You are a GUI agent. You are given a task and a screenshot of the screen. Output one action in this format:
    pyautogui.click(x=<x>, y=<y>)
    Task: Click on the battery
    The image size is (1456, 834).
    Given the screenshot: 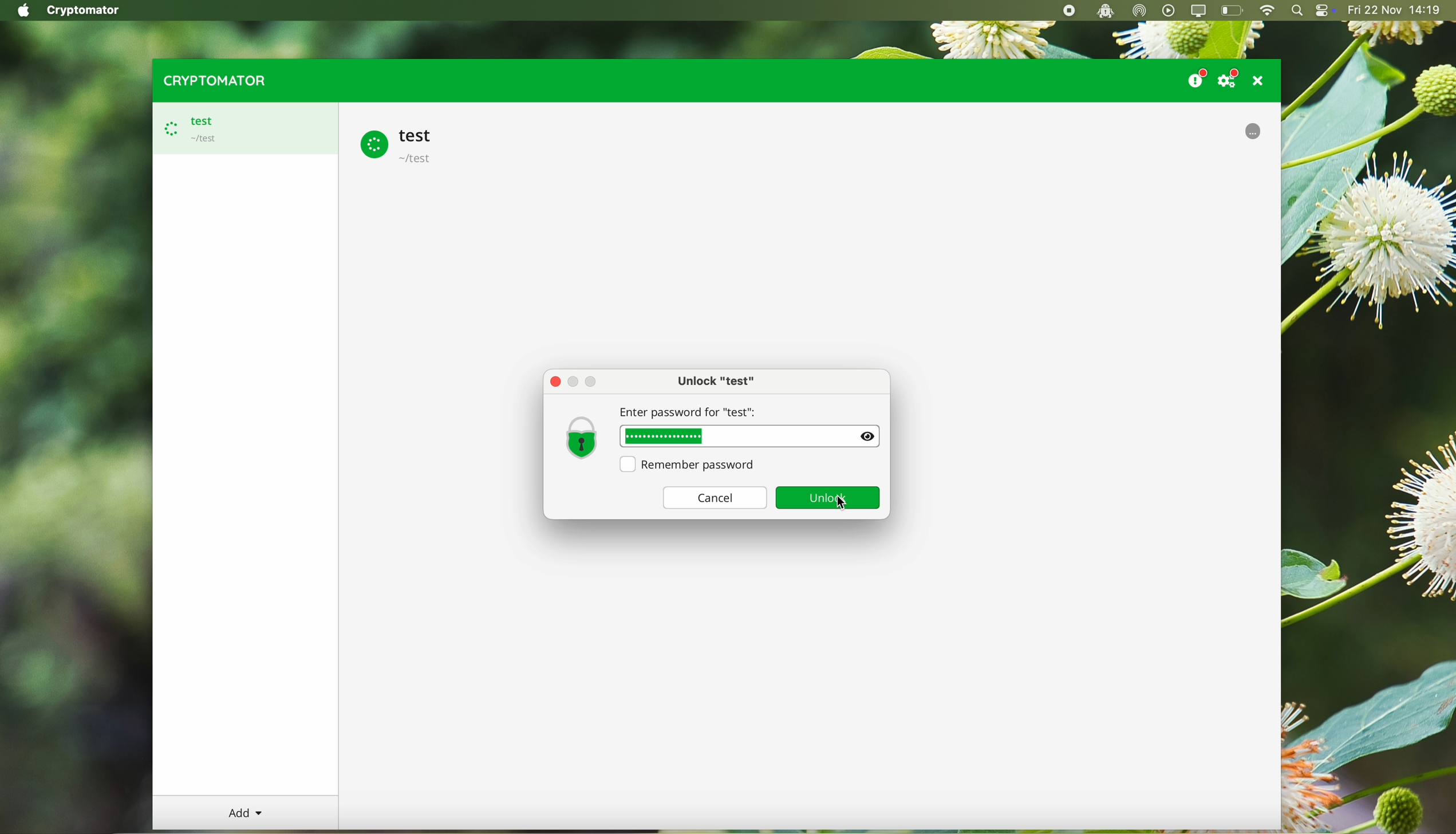 What is the action you would take?
    pyautogui.click(x=1233, y=11)
    